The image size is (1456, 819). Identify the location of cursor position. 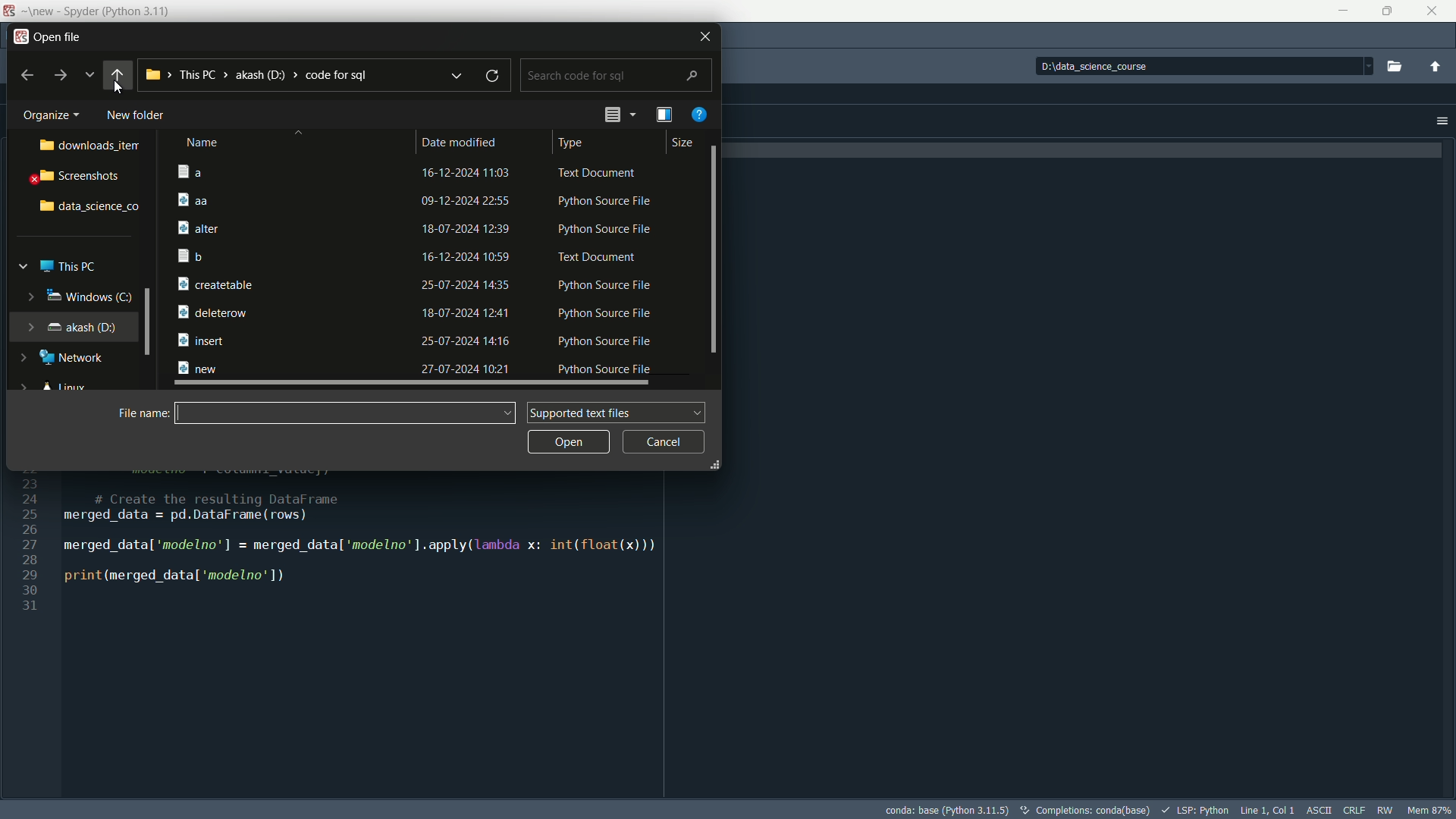
(1267, 810).